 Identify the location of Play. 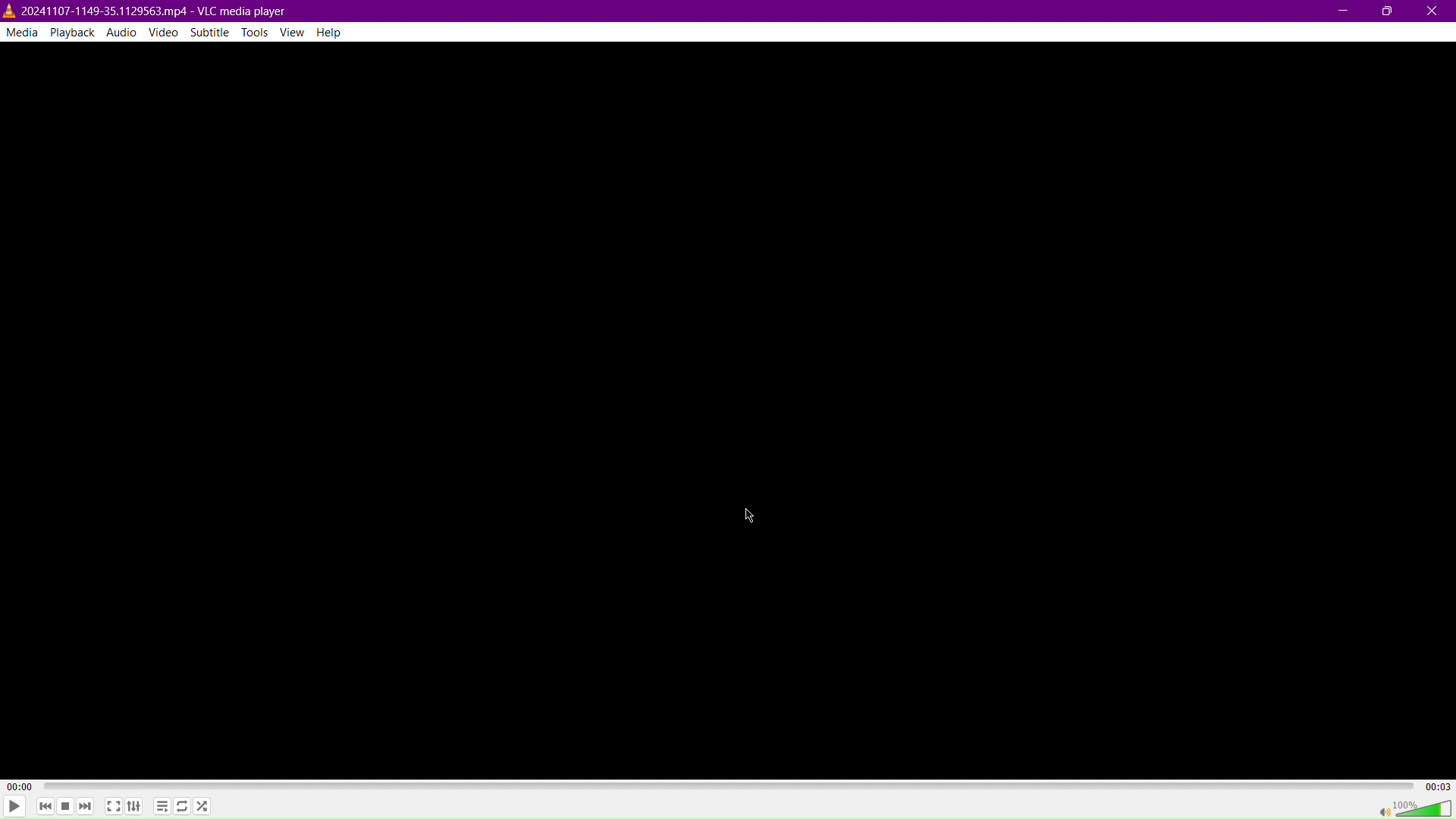
(14, 806).